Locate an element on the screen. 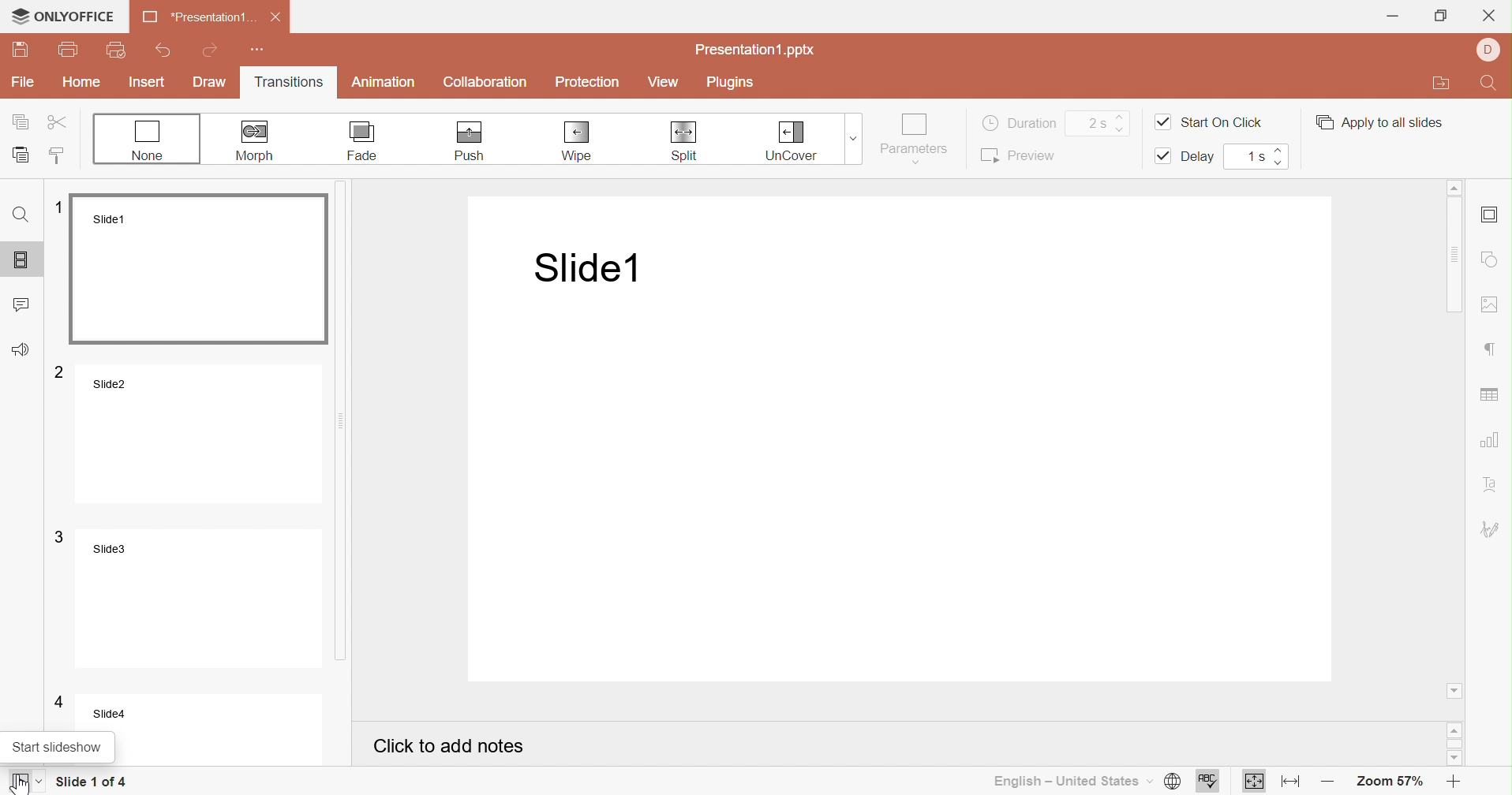  Signature is located at coordinates (1494, 530).